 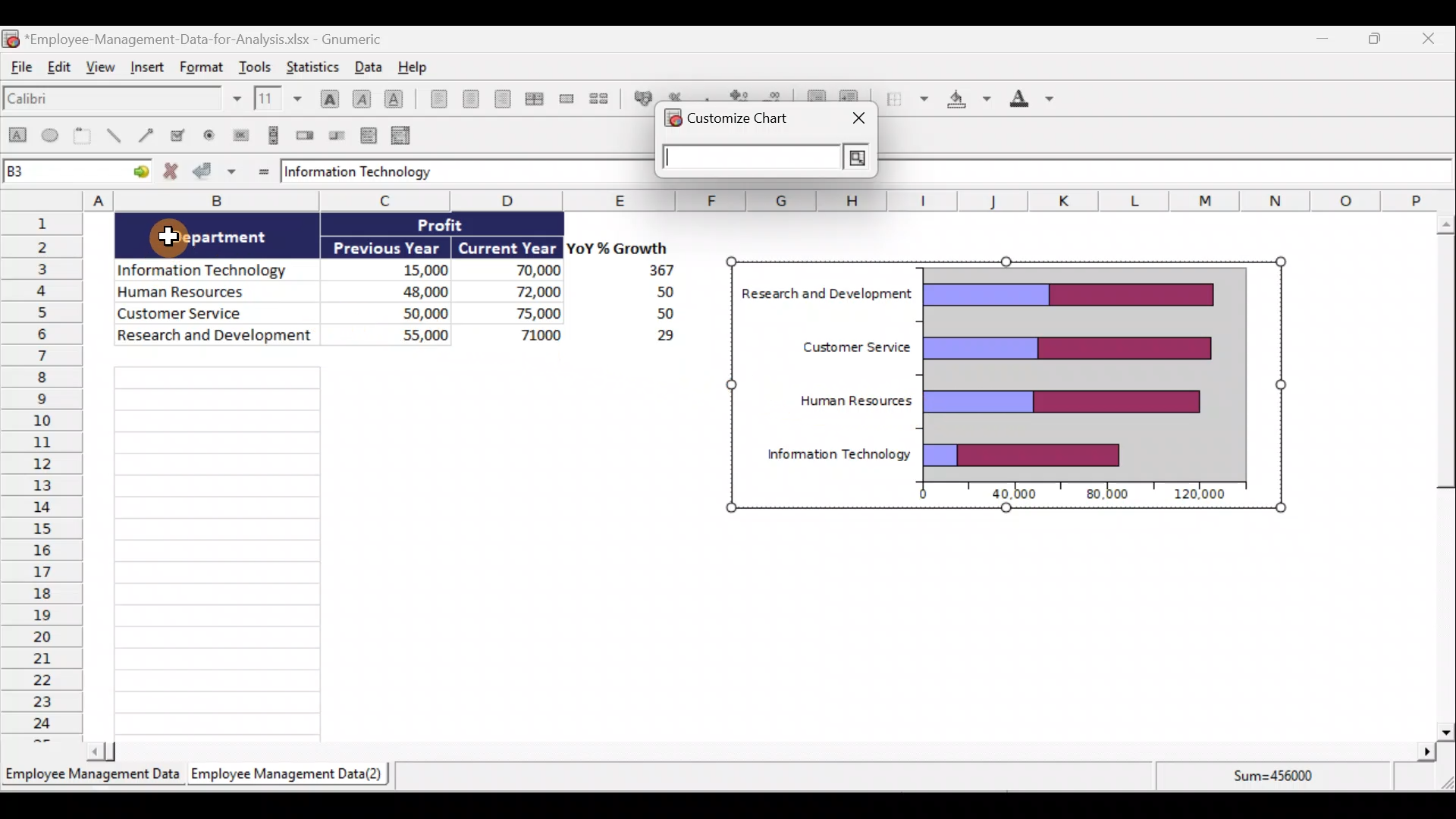 I want to click on 367, so click(x=656, y=271).